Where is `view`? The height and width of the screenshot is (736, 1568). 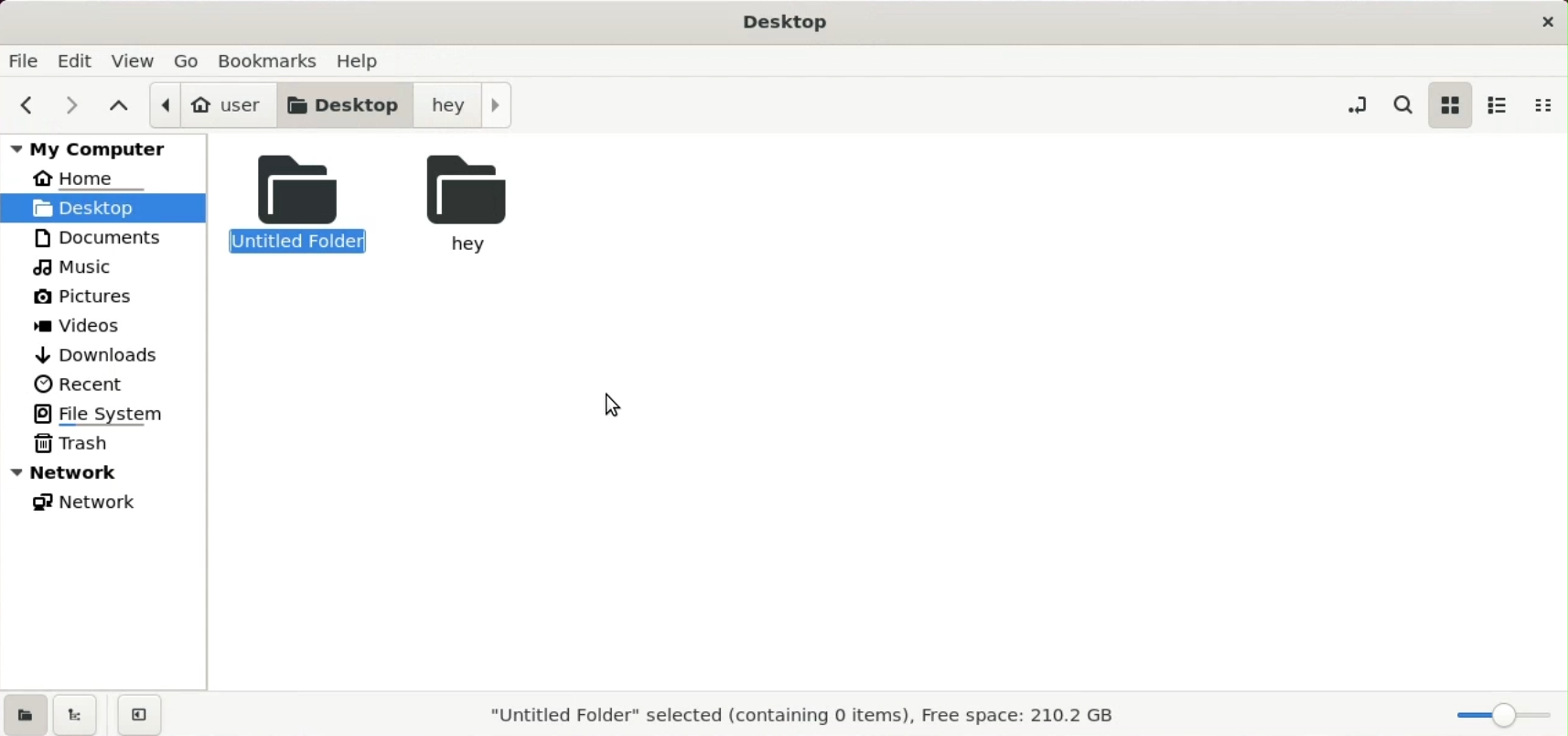
view is located at coordinates (136, 61).